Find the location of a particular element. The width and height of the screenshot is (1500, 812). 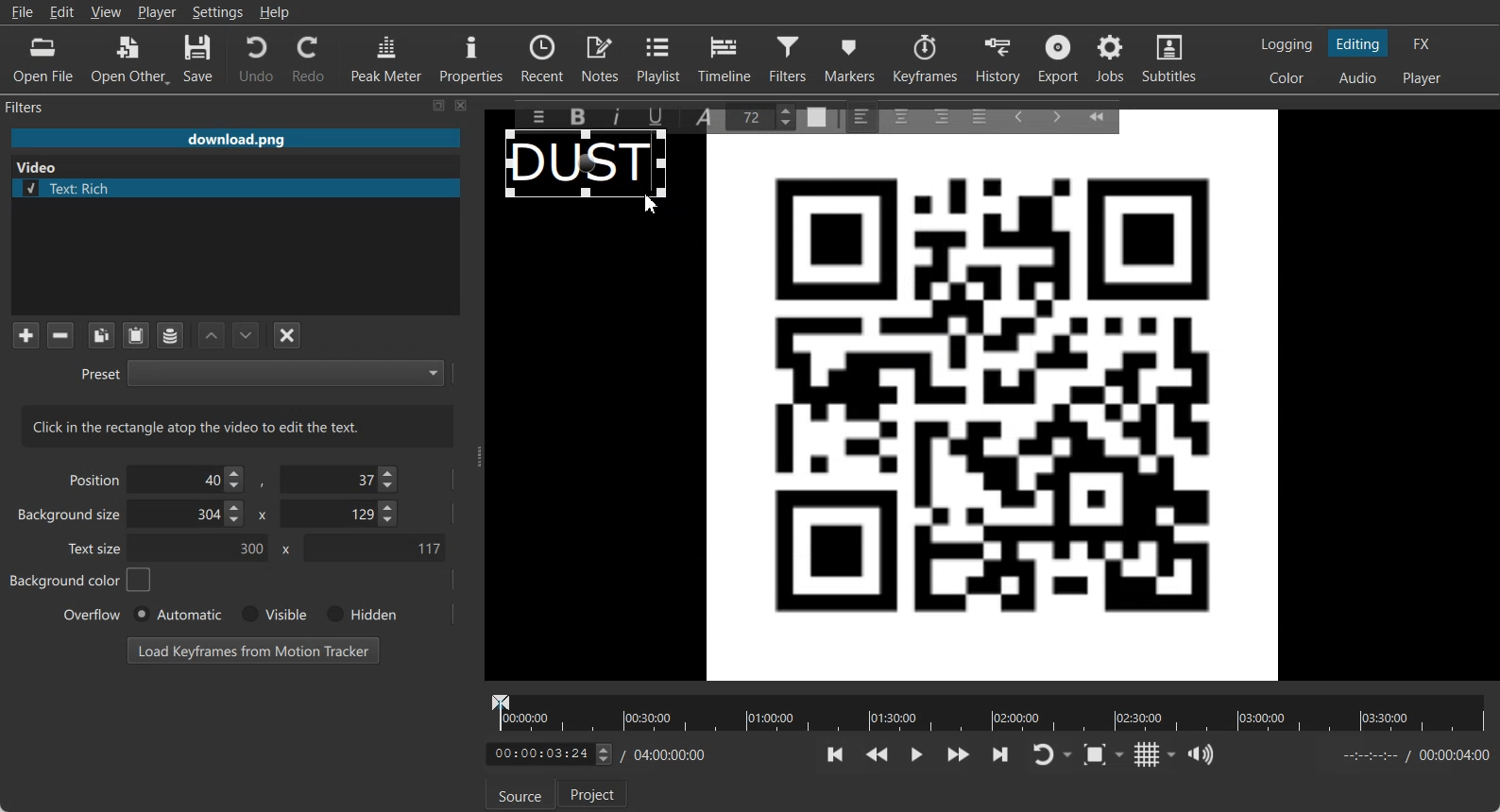

Text is located at coordinates (238, 426).